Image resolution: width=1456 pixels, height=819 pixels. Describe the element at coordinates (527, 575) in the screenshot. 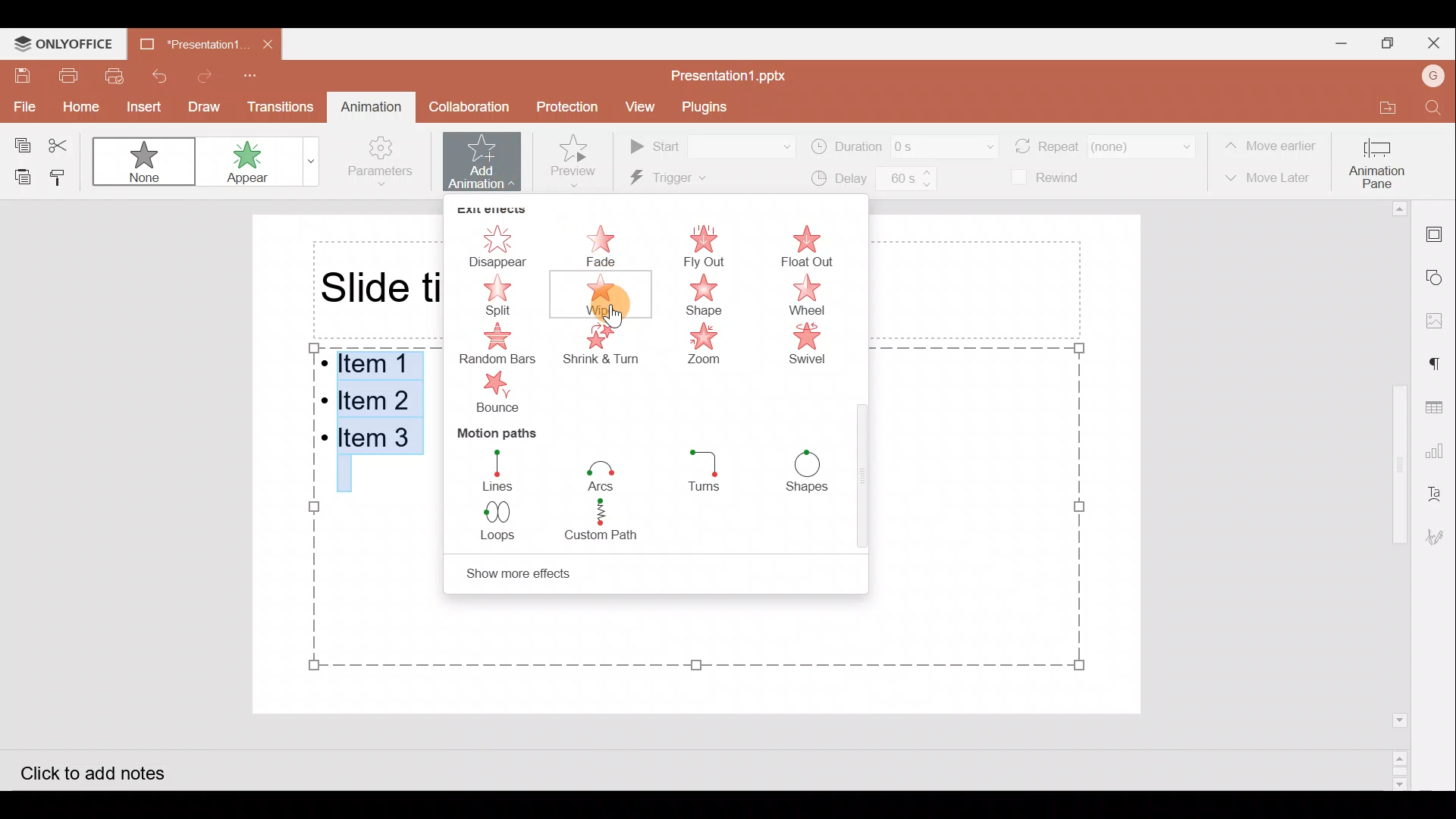

I see `Show more effects` at that location.